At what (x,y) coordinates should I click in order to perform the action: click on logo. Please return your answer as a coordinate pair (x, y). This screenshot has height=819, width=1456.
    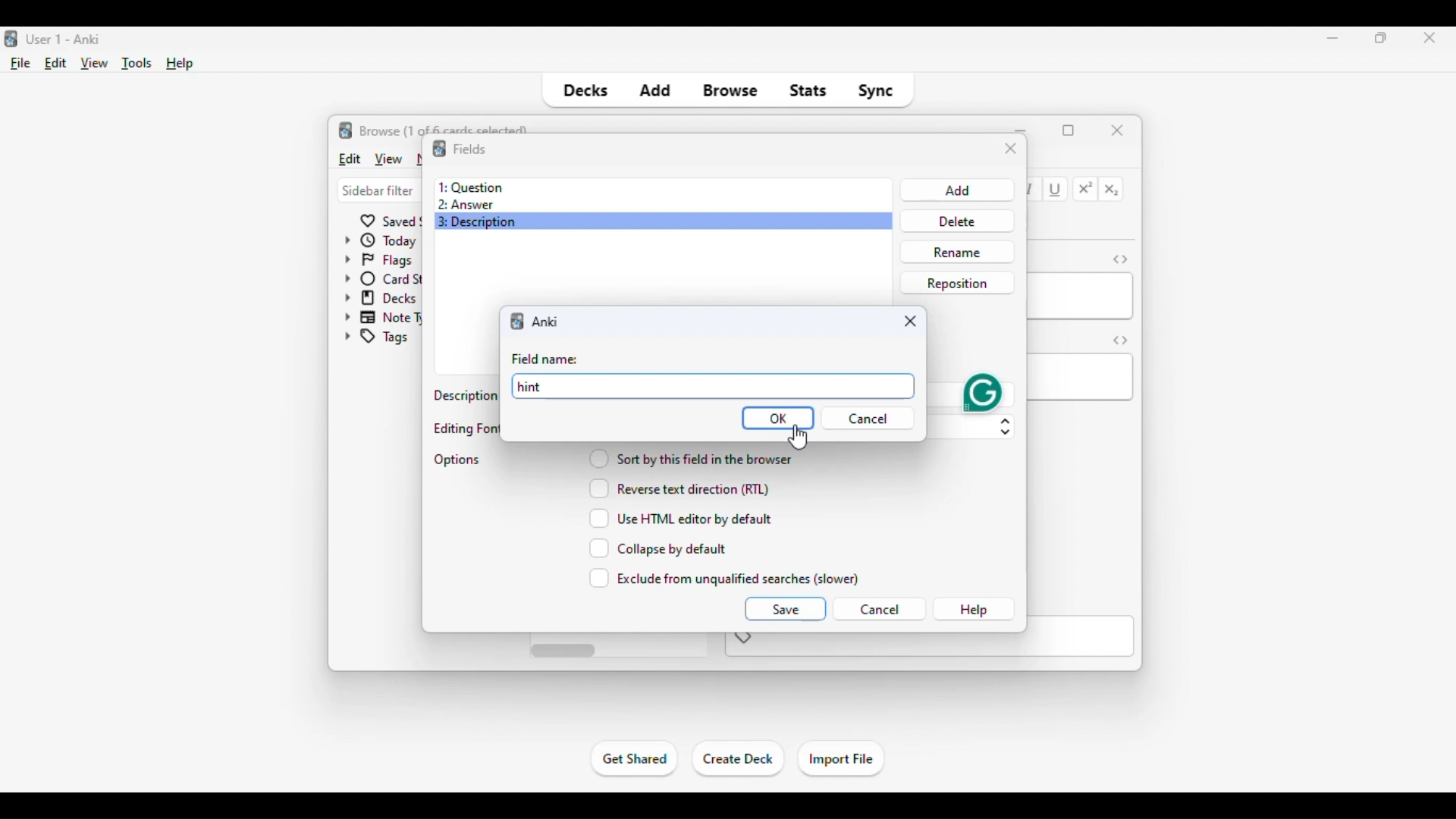
    Looking at the image, I should click on (519, 320).